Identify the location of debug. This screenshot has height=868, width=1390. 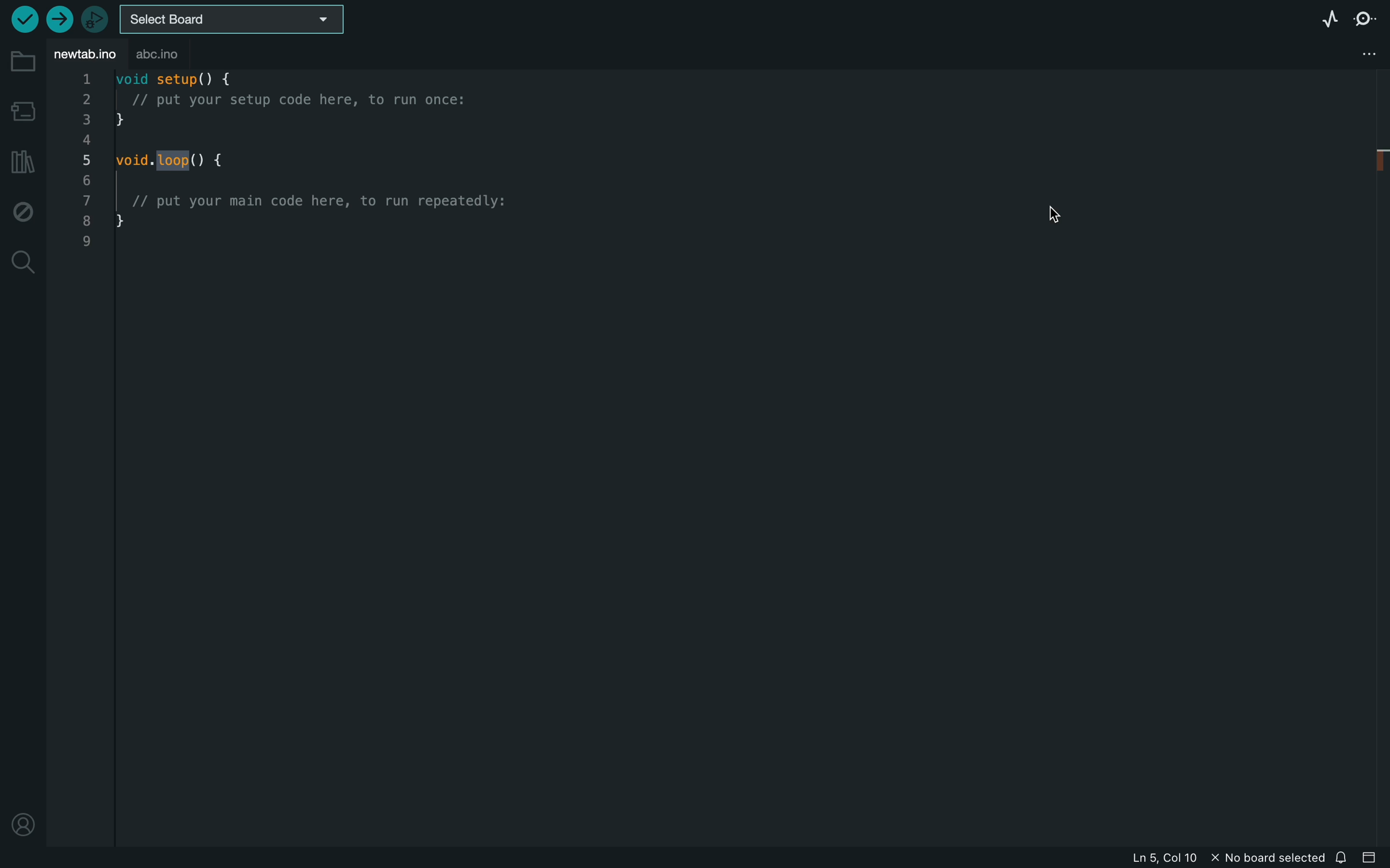
(21, 212).